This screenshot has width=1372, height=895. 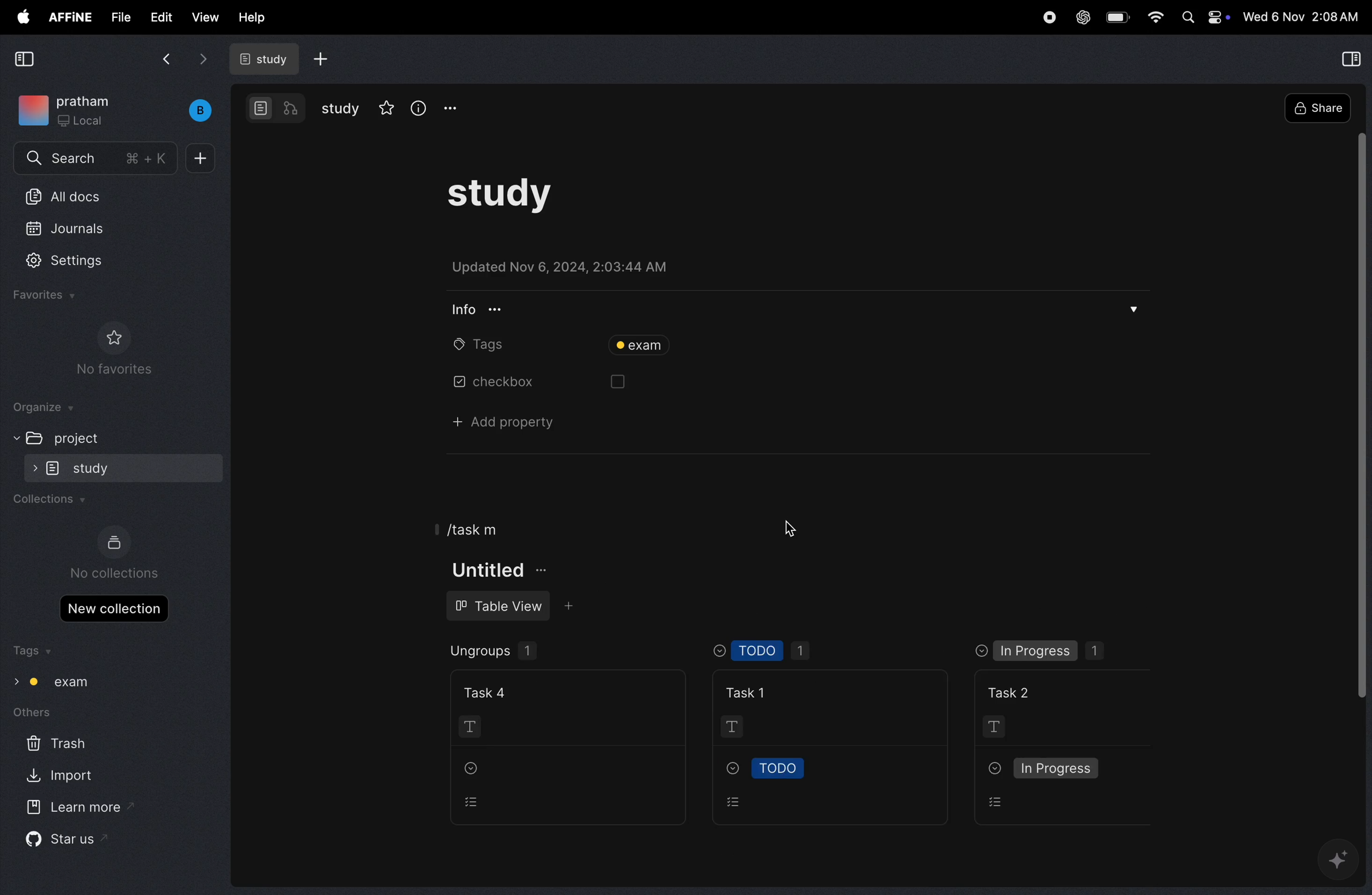 What do you see at coordinates (472, 310) in the screenshot?
I see `info` at bounding box center [472, 310].